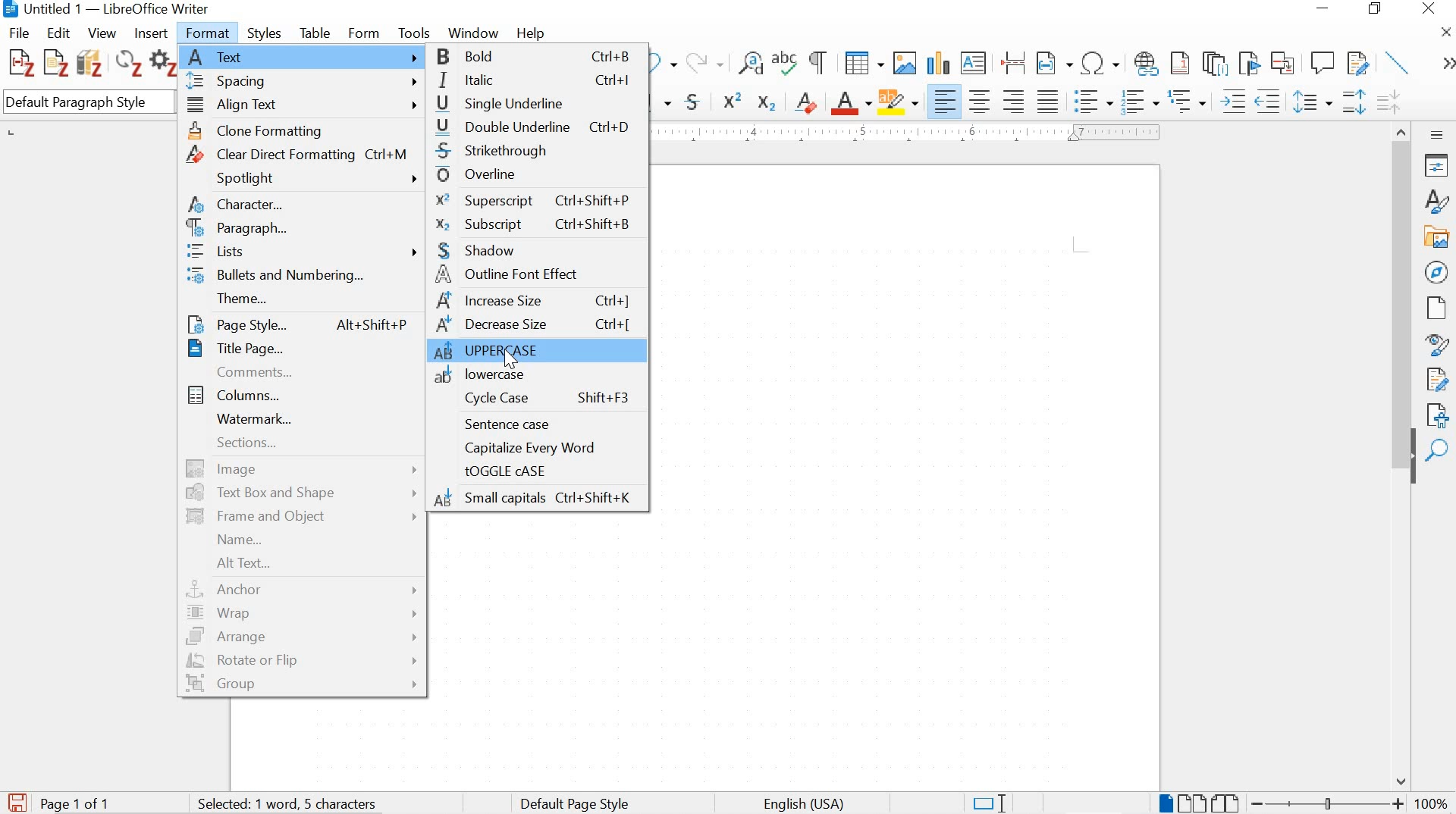 This screenshot has width=1456, height=814. I want to click on insert line, so click(1398, 62).